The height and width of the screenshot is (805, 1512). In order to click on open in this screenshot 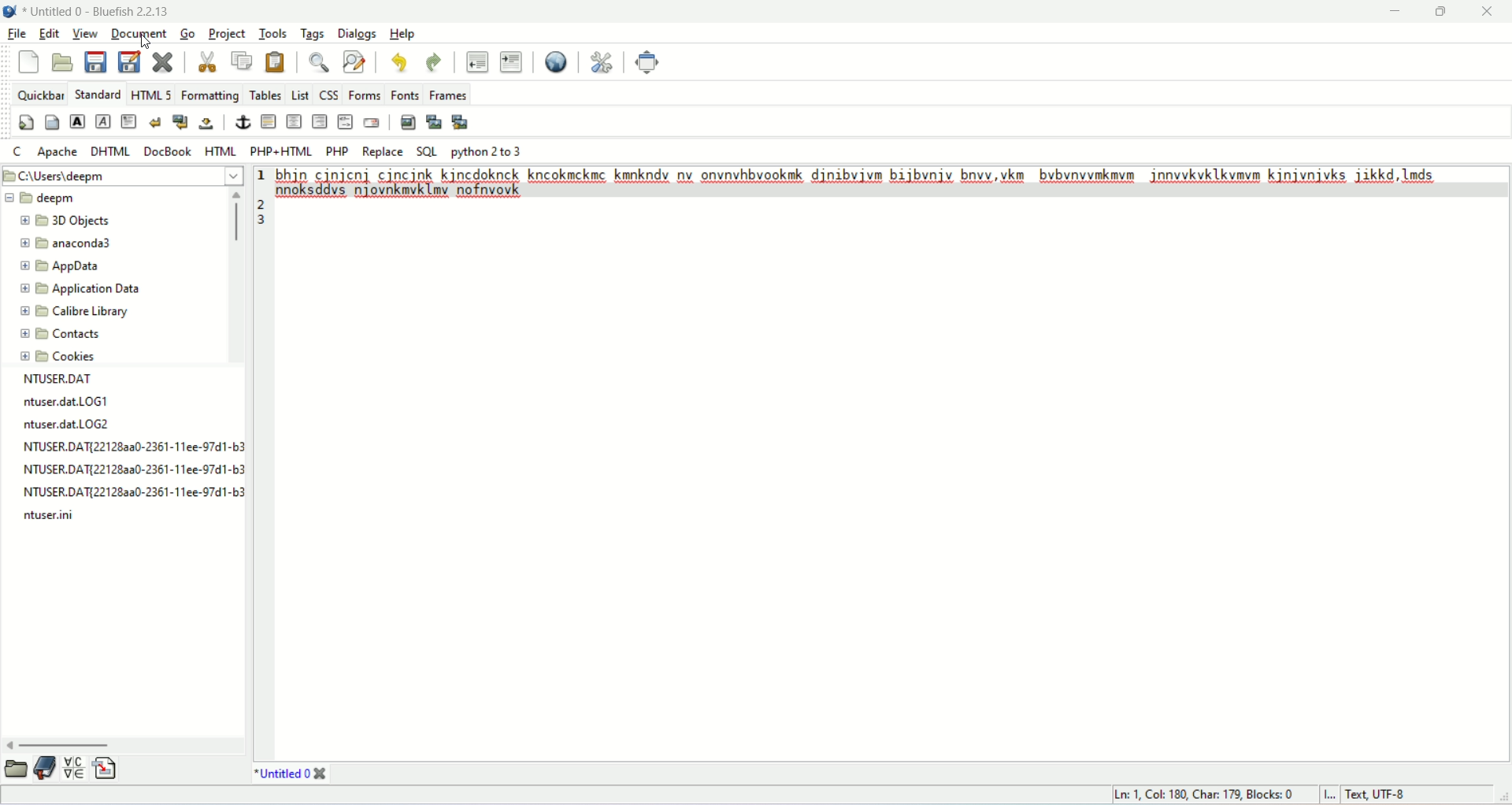, I will do `click(17, 770)`.